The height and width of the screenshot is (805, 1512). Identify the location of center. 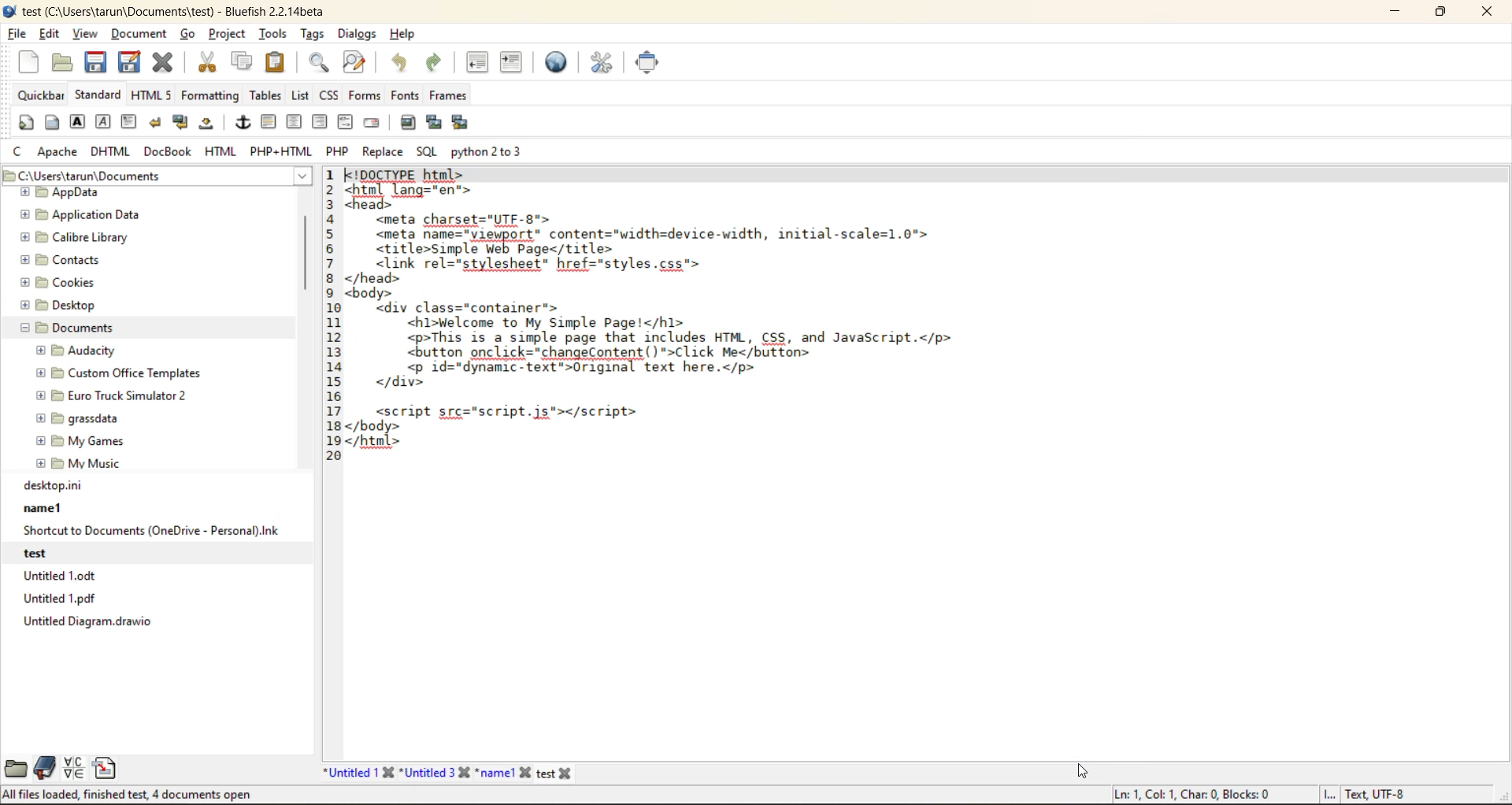
(295, 122).